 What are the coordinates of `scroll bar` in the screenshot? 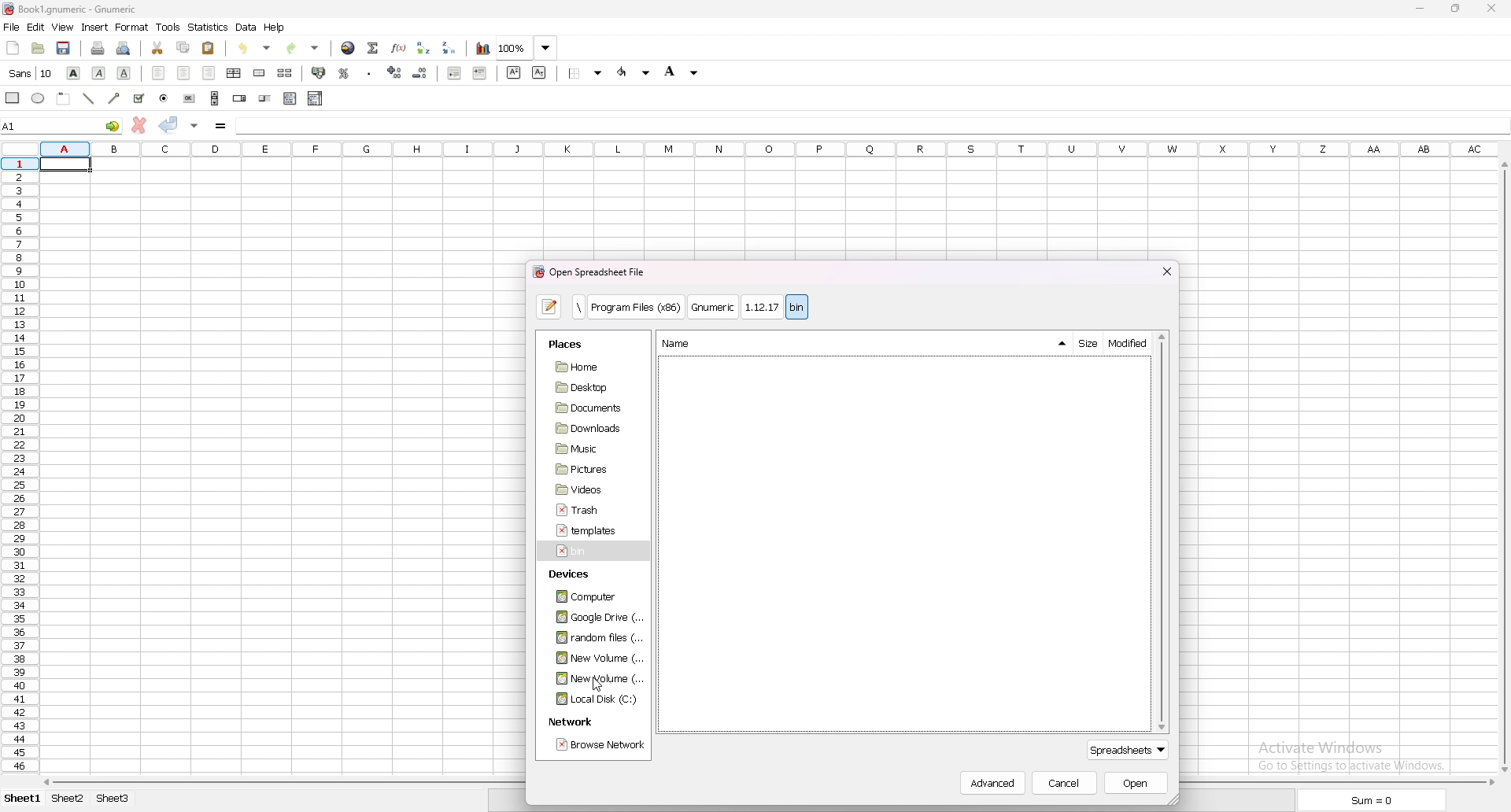 It's located at (215, 98).